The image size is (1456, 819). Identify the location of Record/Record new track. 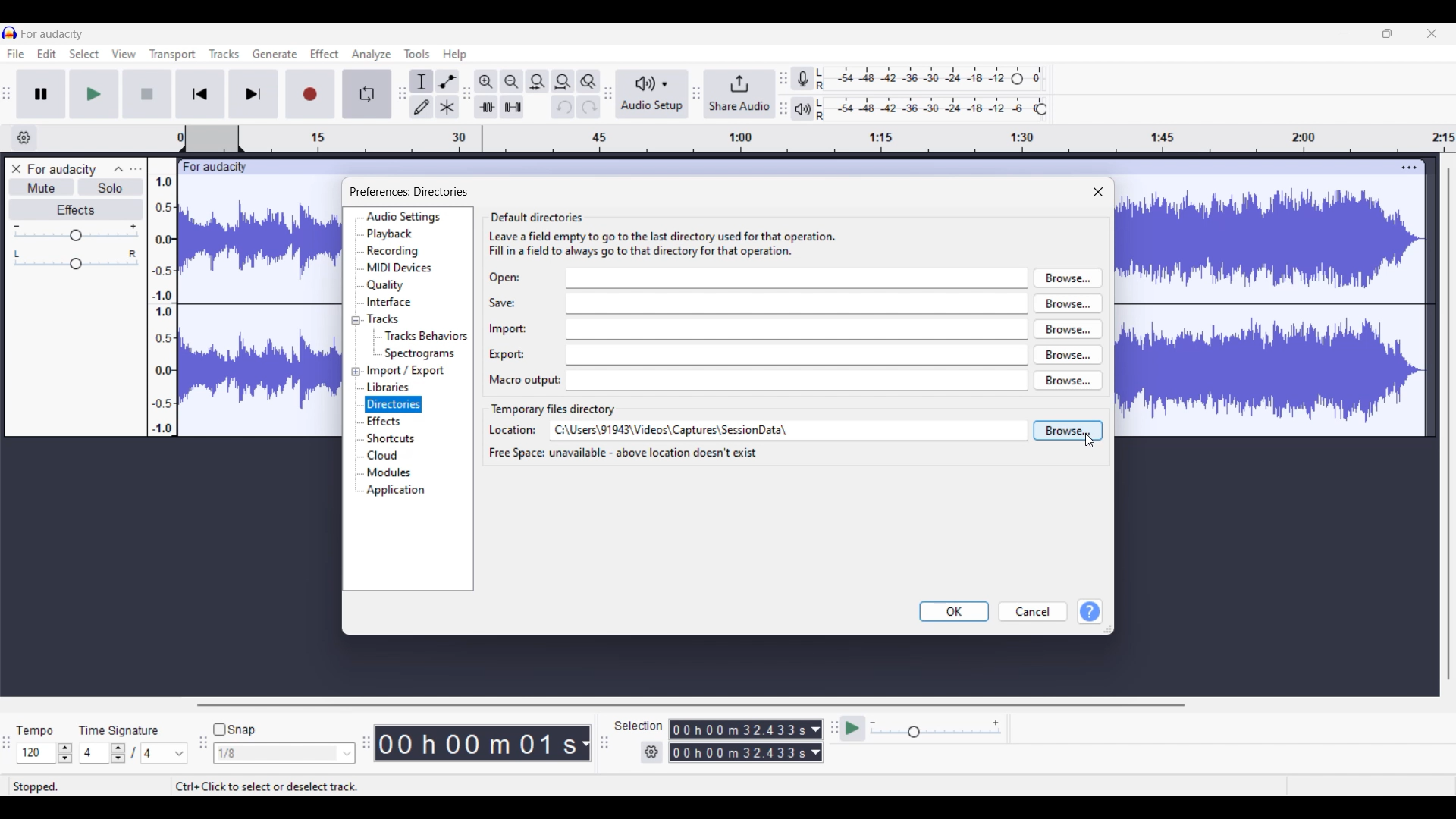
(310, 94).